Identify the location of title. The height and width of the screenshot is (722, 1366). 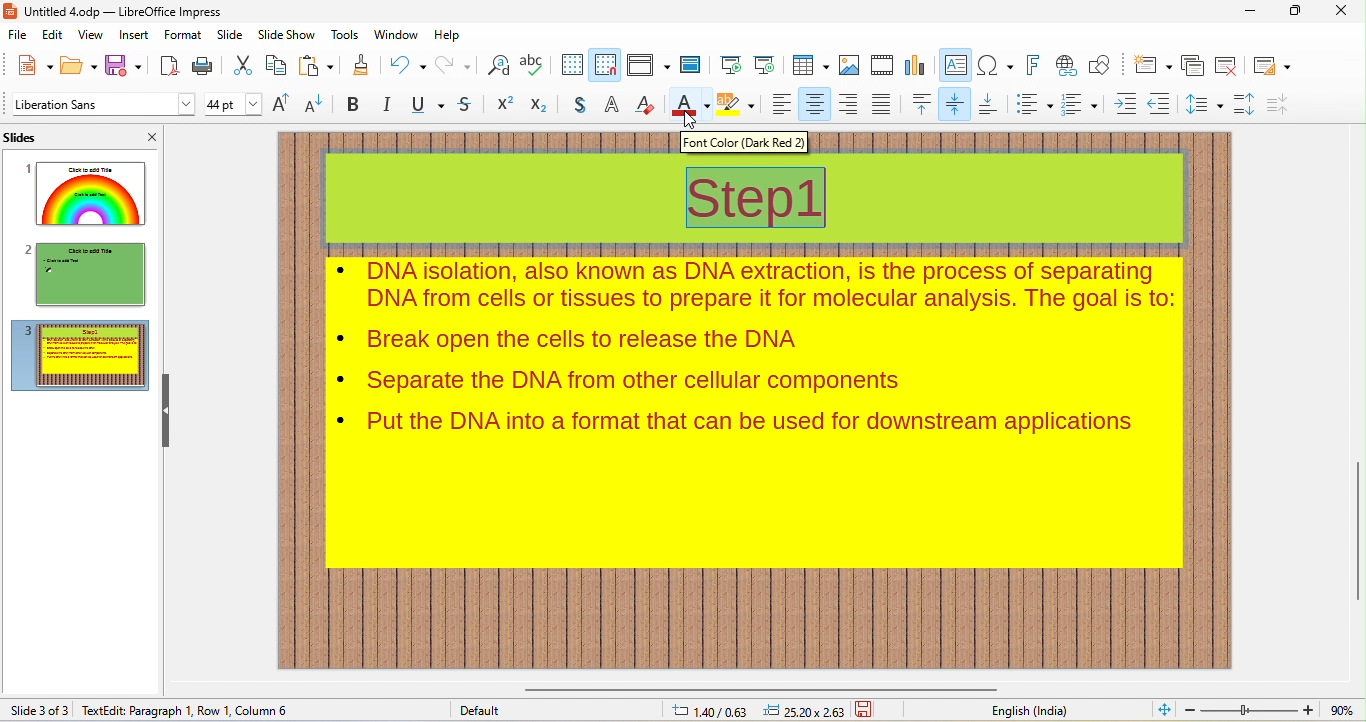
(121, 12).